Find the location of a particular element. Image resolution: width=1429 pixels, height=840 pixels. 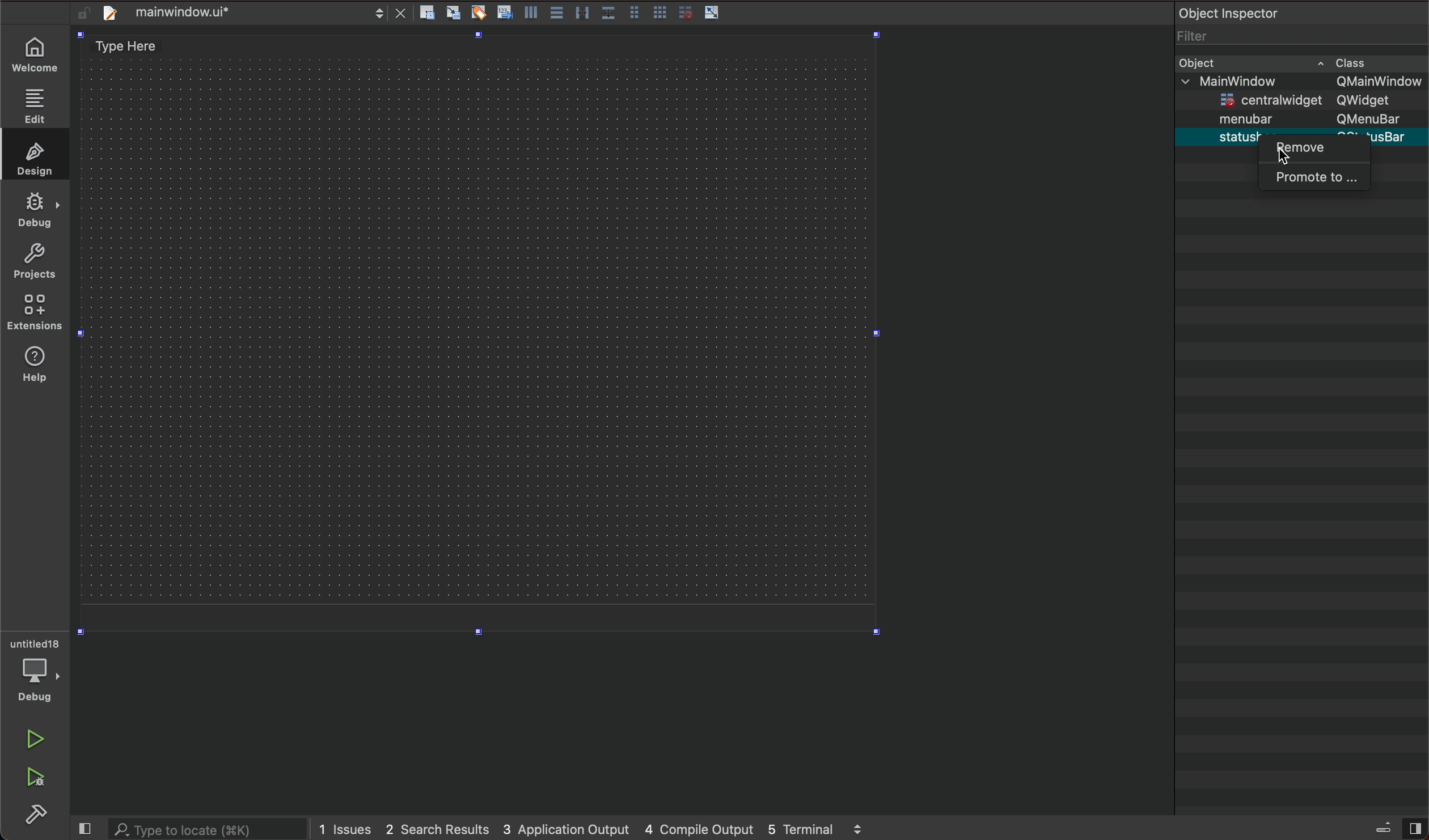

menubar Qmenubar is located at coordinates (1312, 120).